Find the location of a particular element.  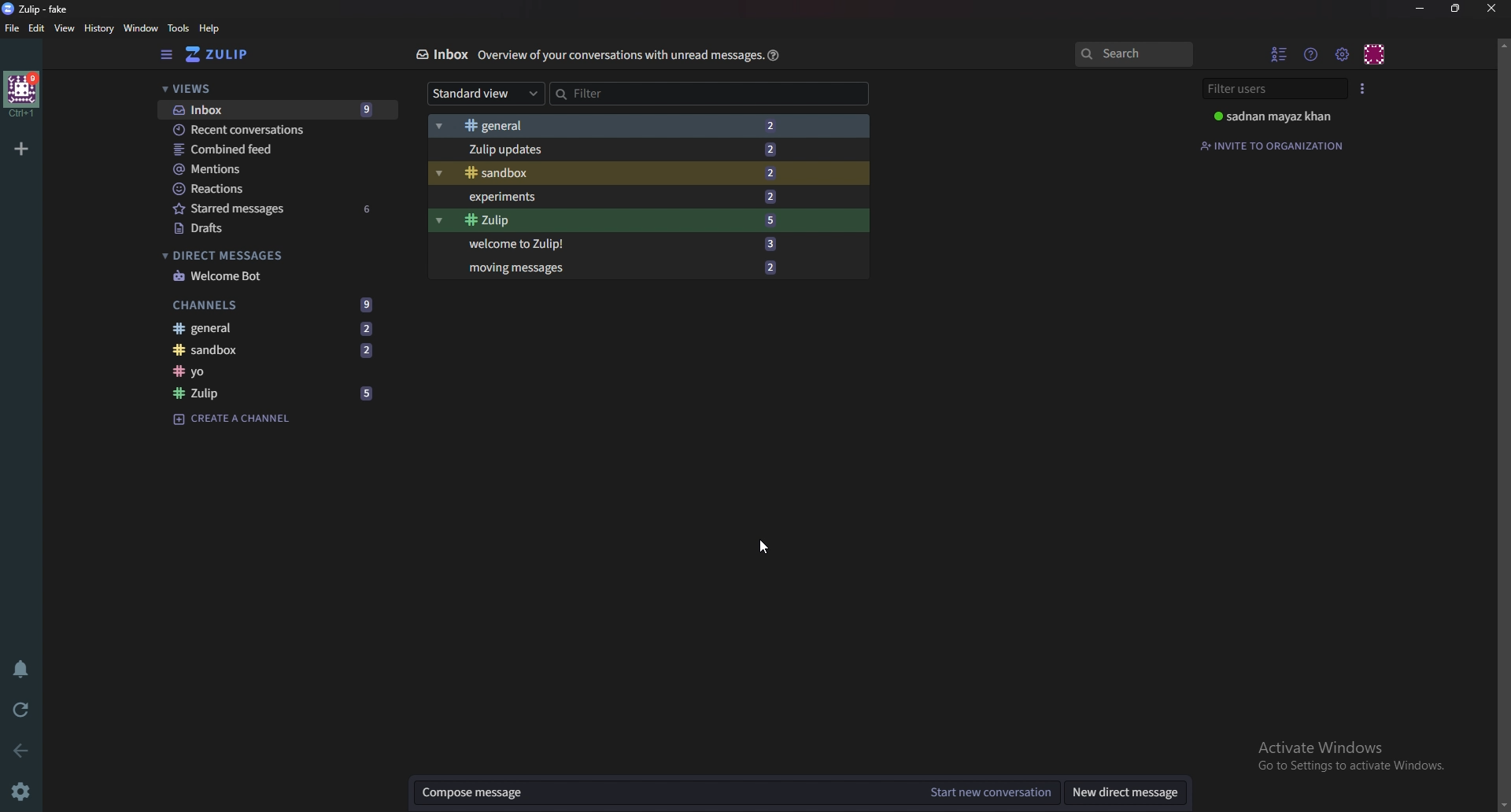

help is located at coordinates (211, 28).